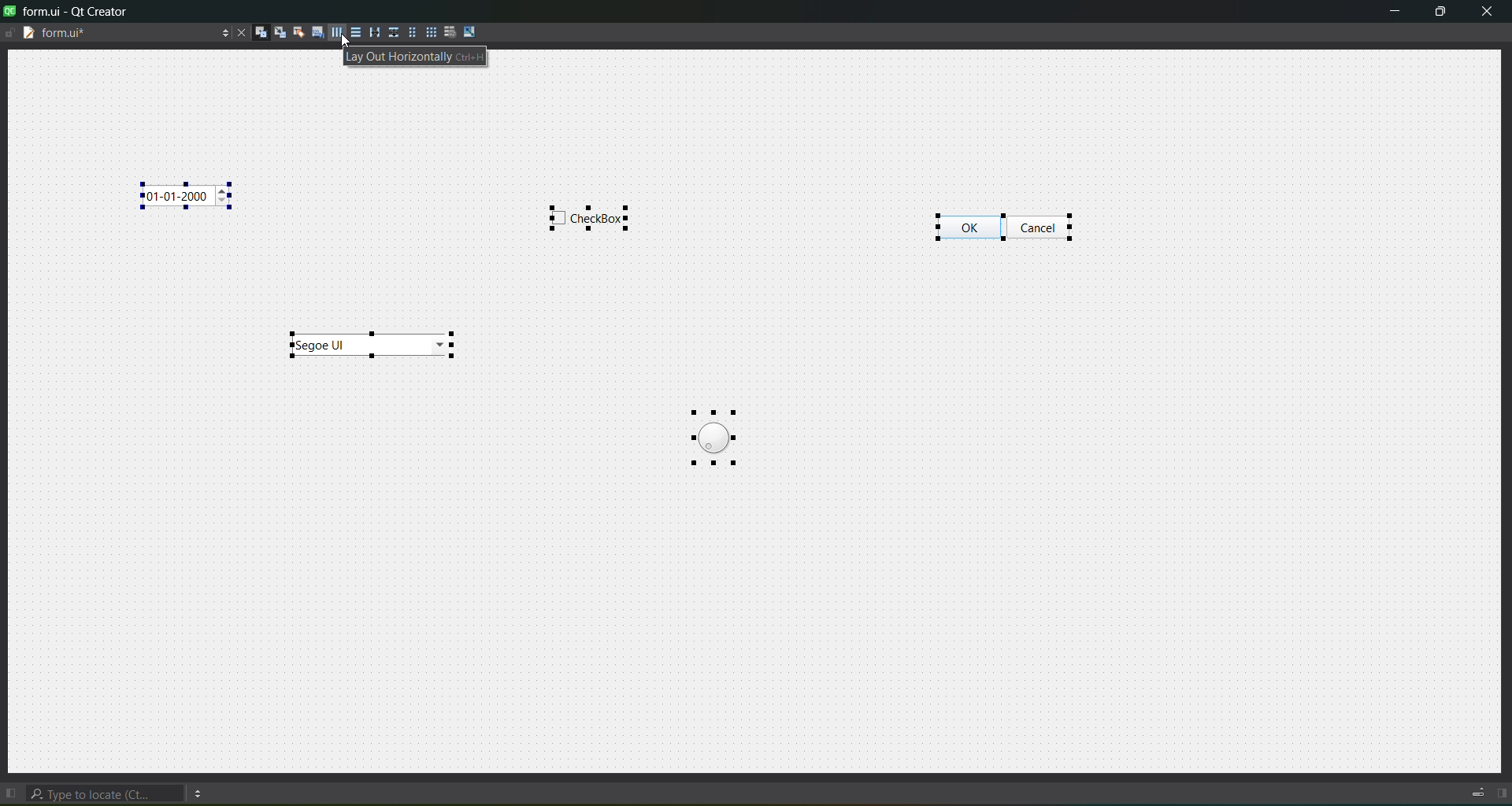 The width and height of the screenshot is (1512, 806). Describe the element at coordinates (429, 32) in the screenshot. I see `layout in a grid` at that location.